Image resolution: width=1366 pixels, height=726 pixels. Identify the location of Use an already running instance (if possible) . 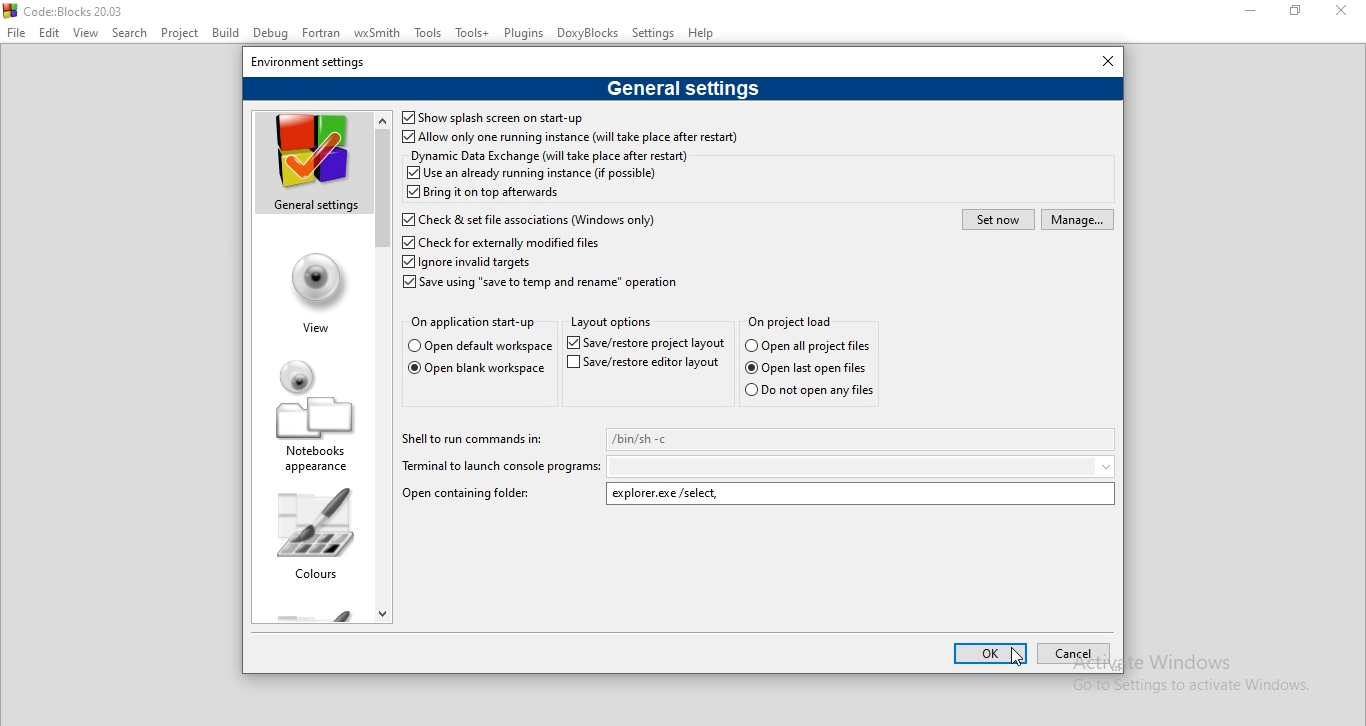
(532, 173).